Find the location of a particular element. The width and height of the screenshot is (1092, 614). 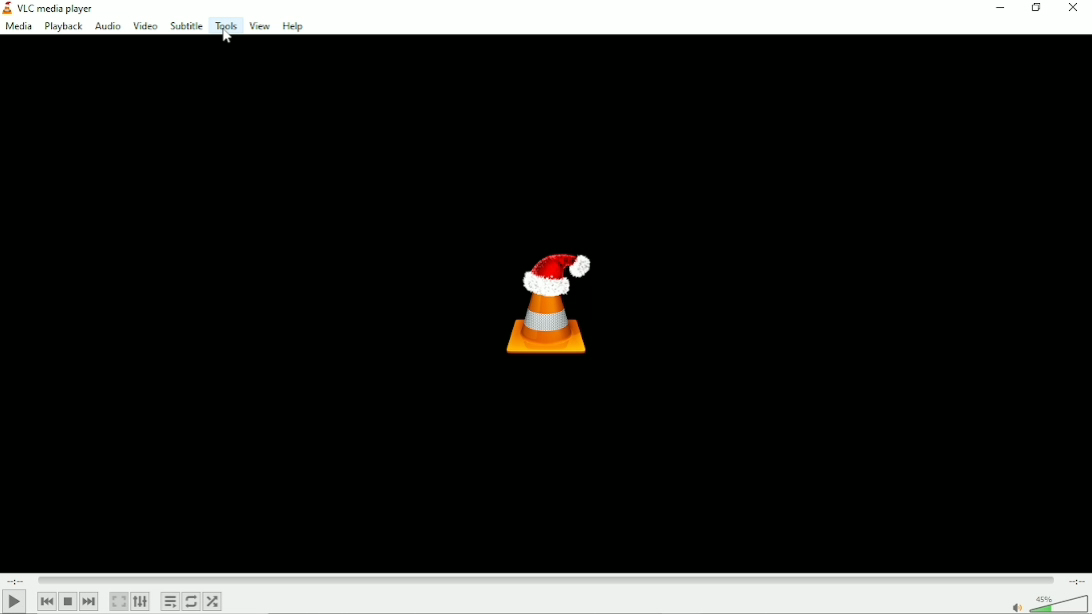

Subtitle is located at coordinates (186, 26).